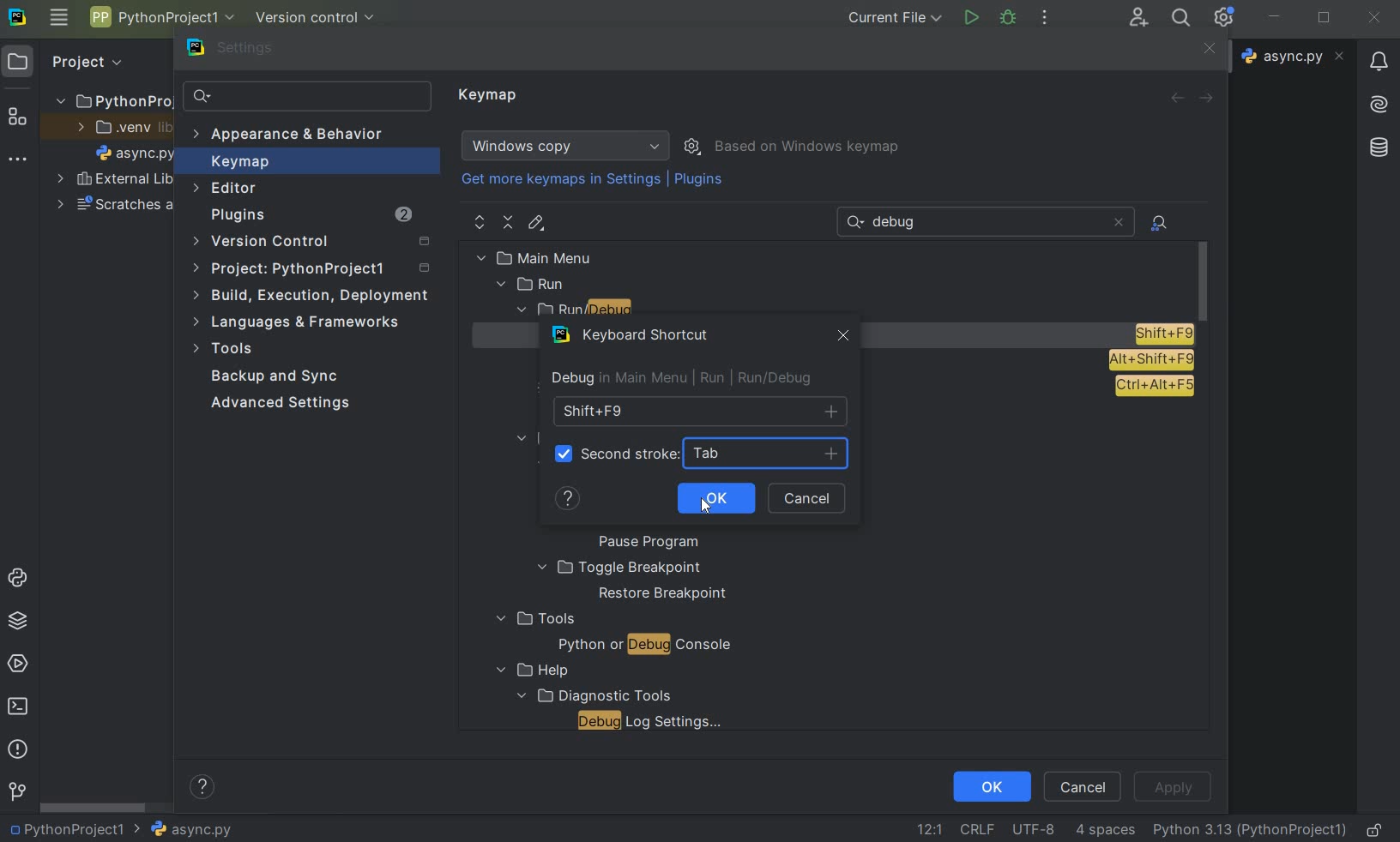 The height and width of the screenshot is (842, 1400). What do you see at coordinates (655, 721) in the screenshot?
I see `debug log settings` at bounding box center [655, 721].